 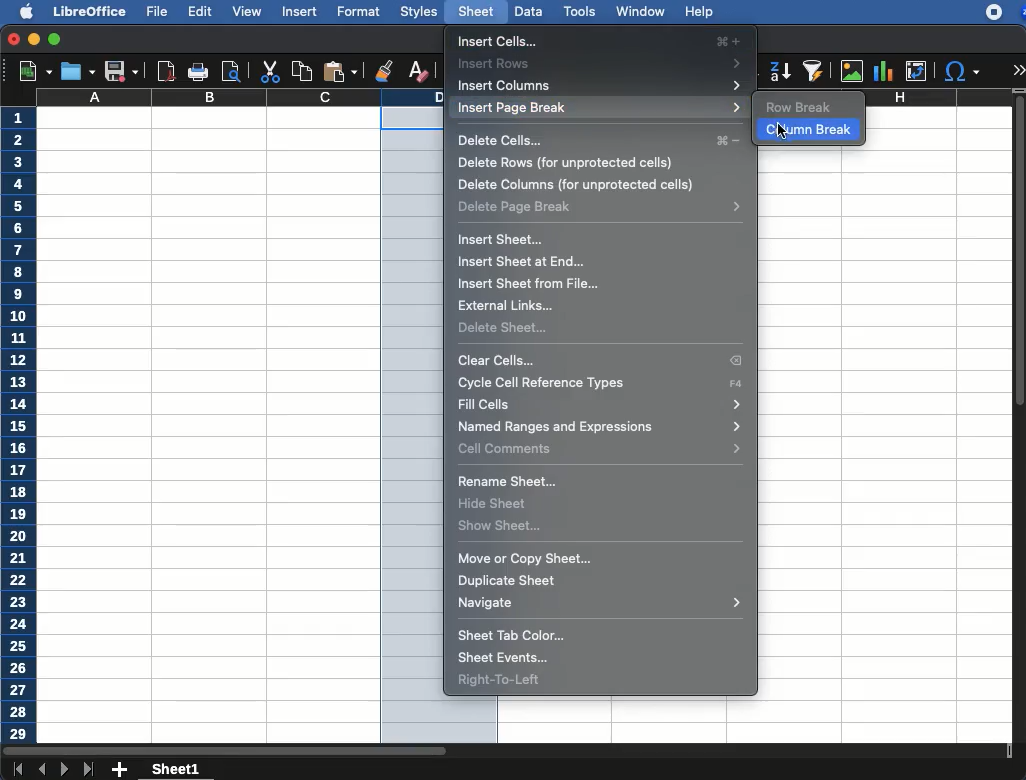 What do you see at coordinates (779, 68) in the screenshot?
I see `descendinga` at bounding box center [779, 68].